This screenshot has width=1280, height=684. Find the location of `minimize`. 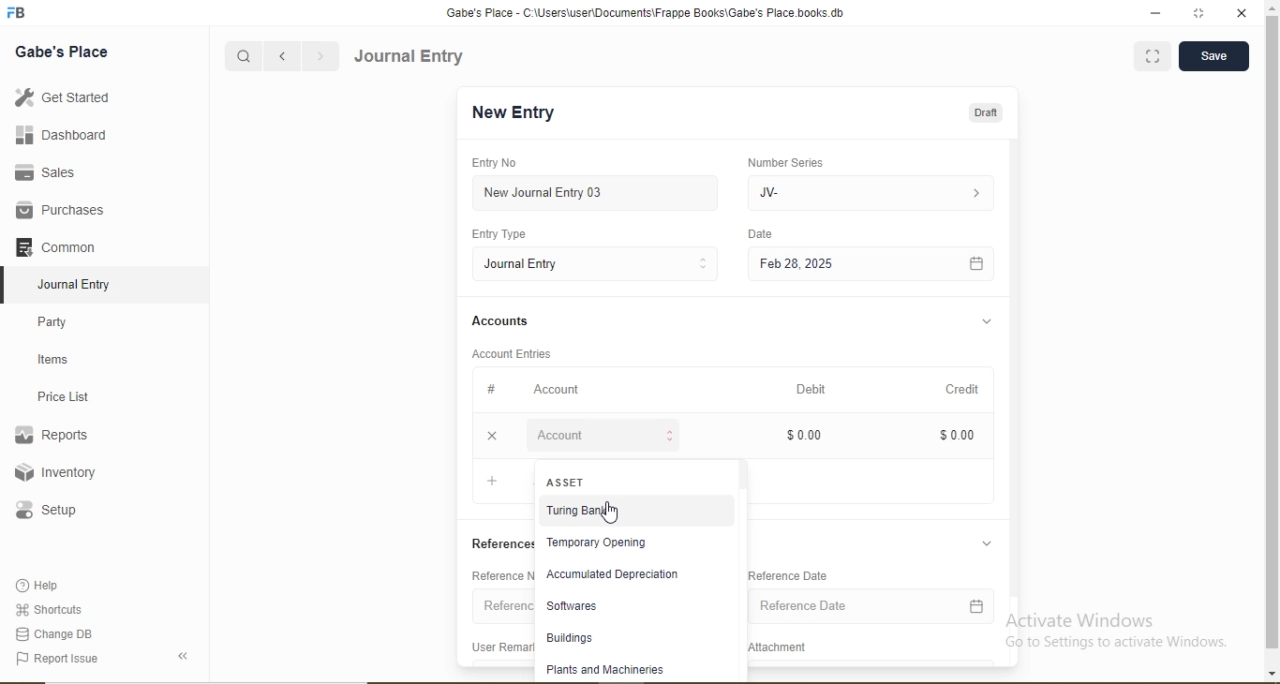

minimize is located at coordinates (1154, 14).